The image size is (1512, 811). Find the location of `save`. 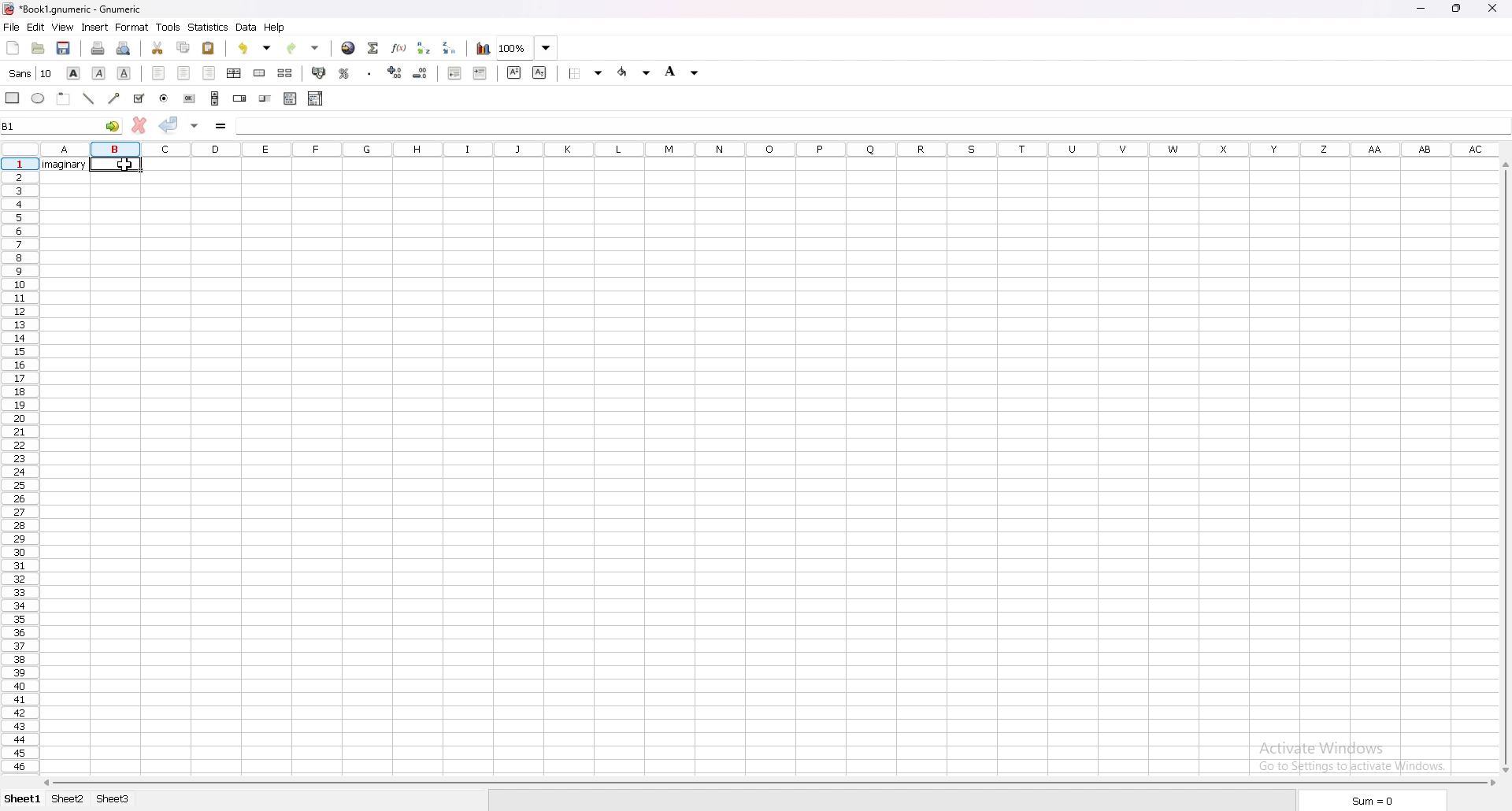

save is located at coordinates (64, 49).